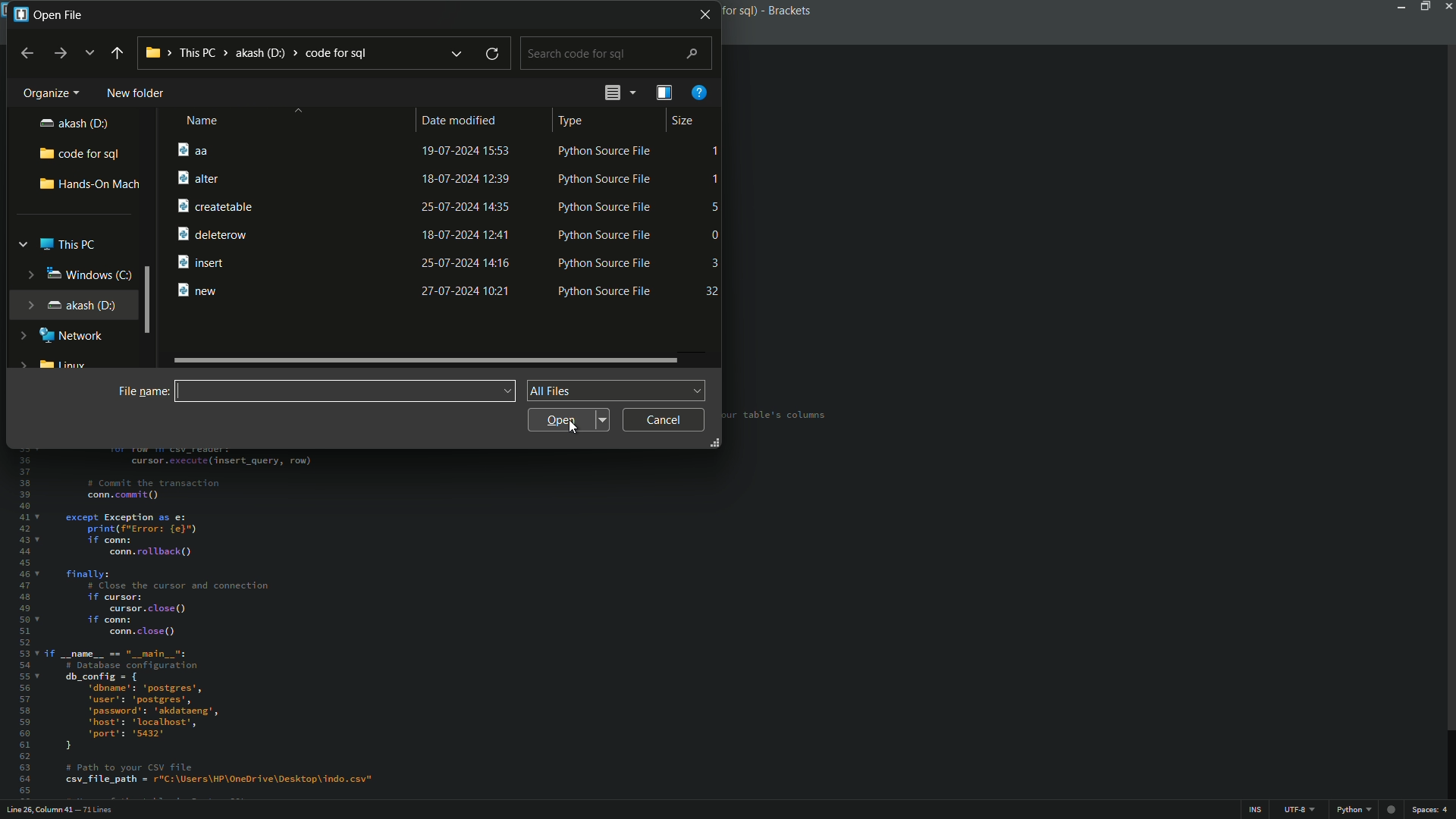 This screenshot has width=1456, height=819. What do you see at coordinates (19, 16) in the screenshot?
I see `app icon` at bounding box center [19, 16].